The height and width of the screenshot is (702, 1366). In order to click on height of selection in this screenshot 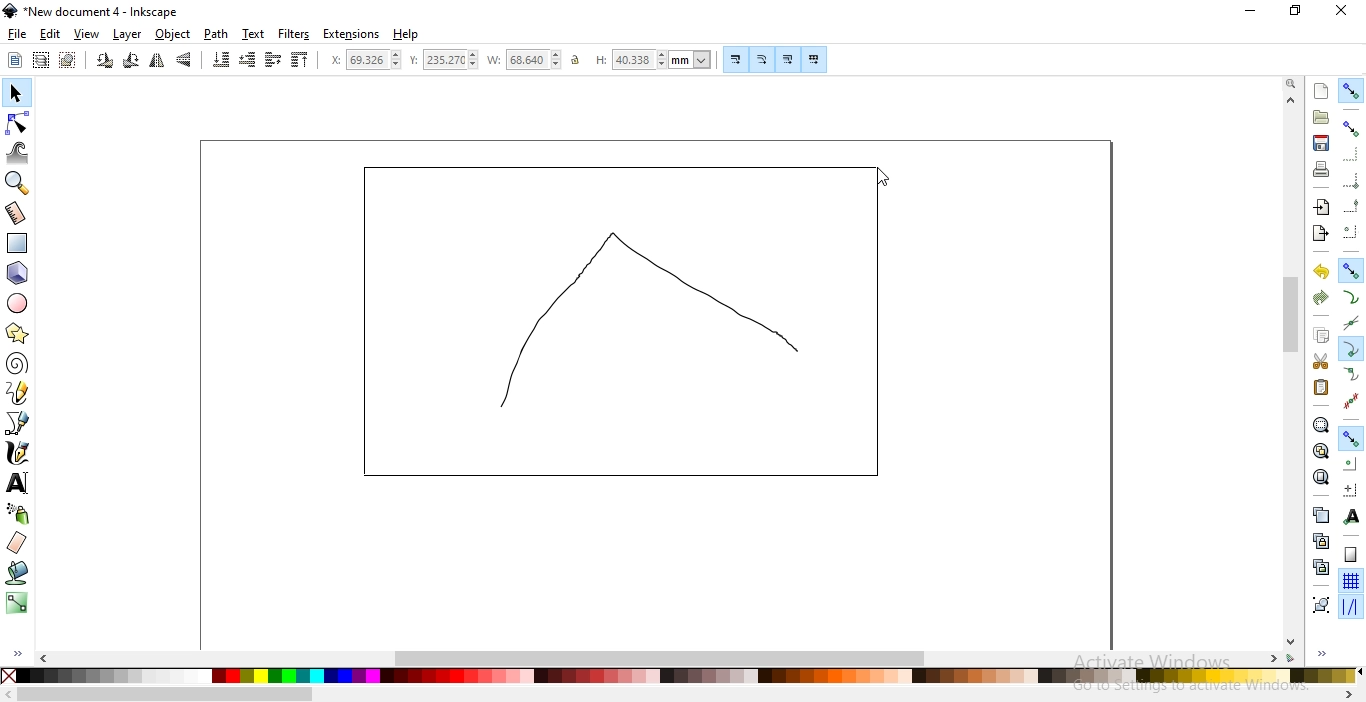, I will do `click(653, 59)`.